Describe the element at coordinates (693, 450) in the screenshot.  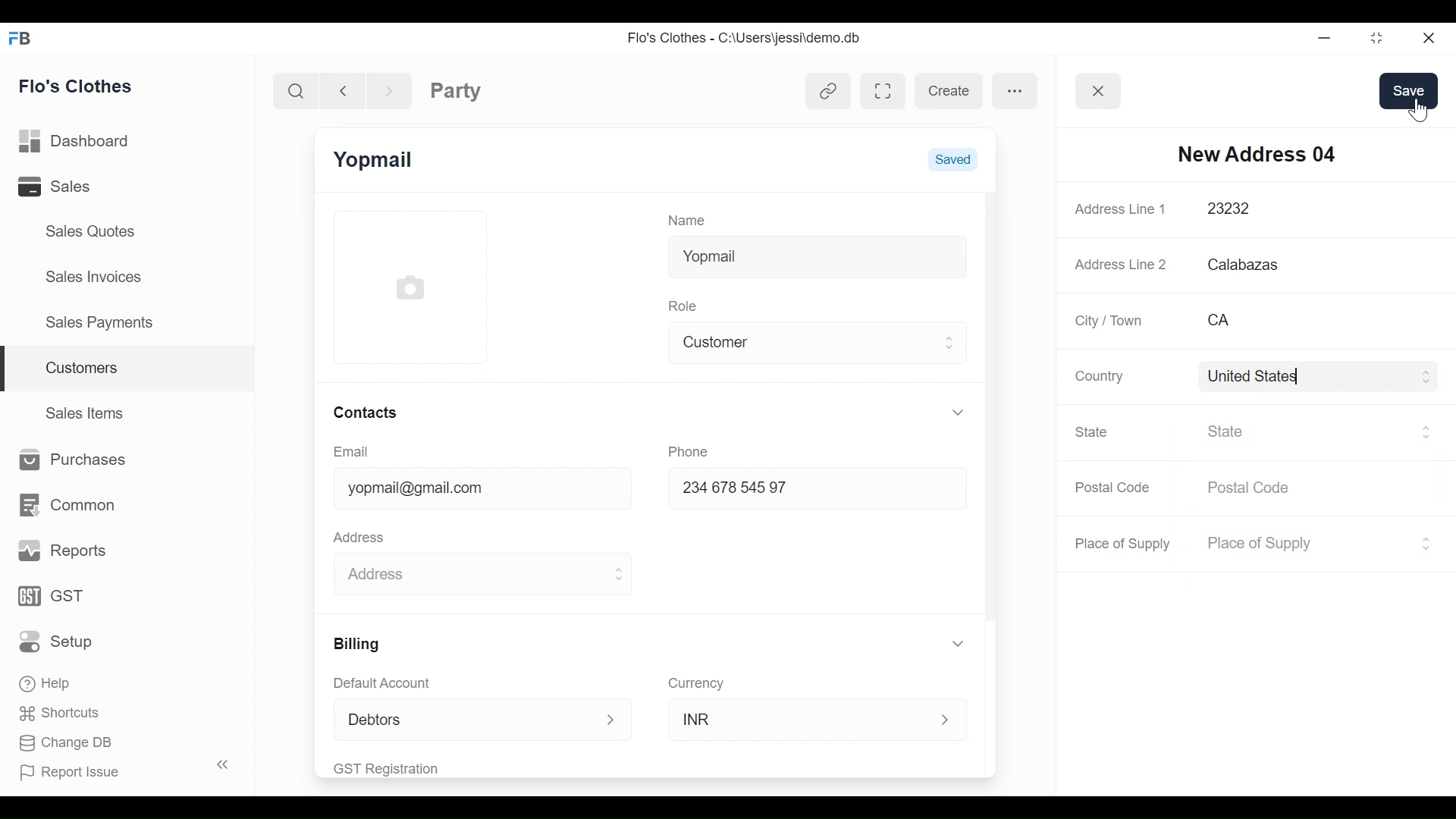
I see `Phone` at that location.